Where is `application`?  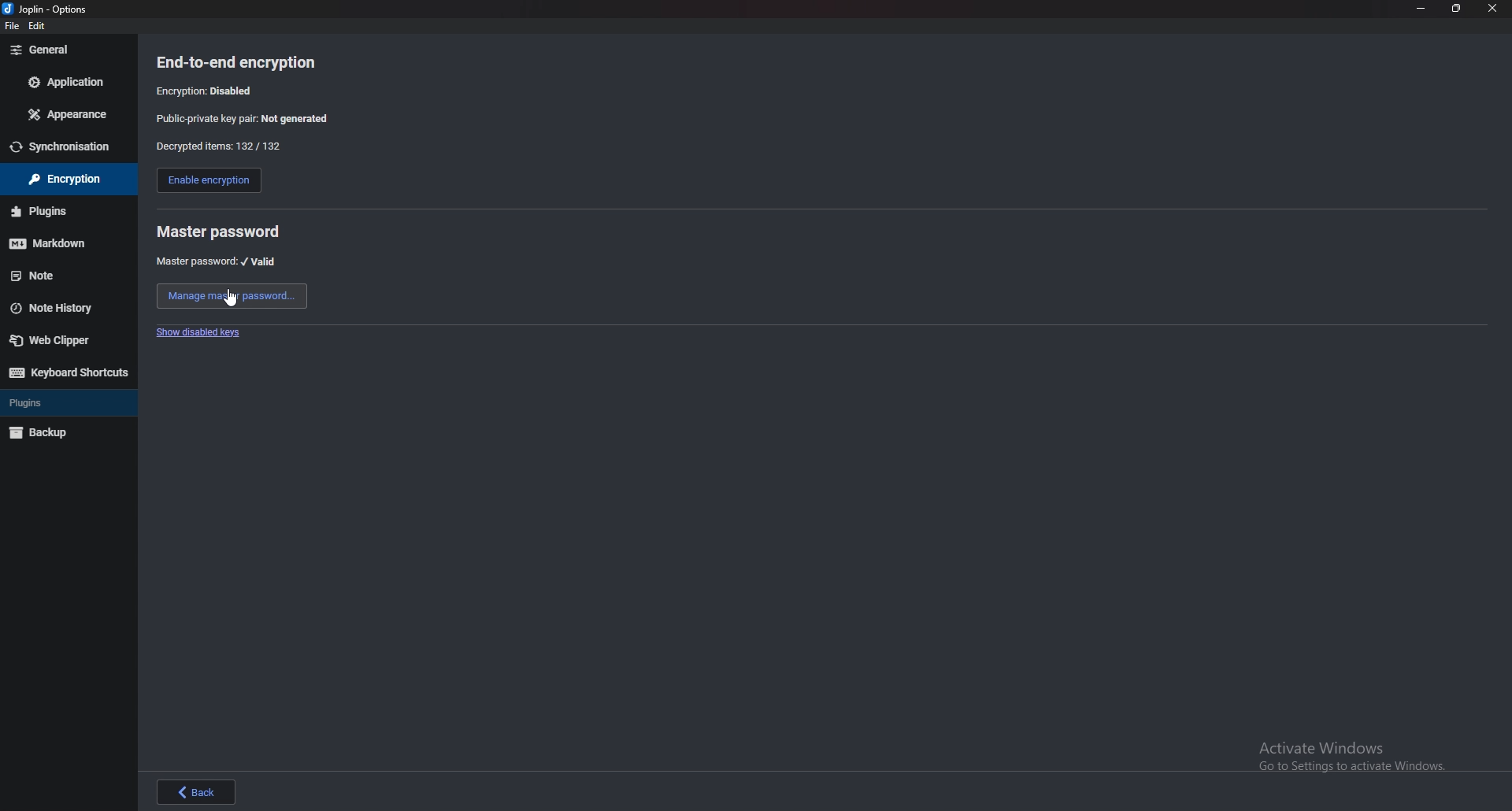
application is located at coordinates (64, 80).